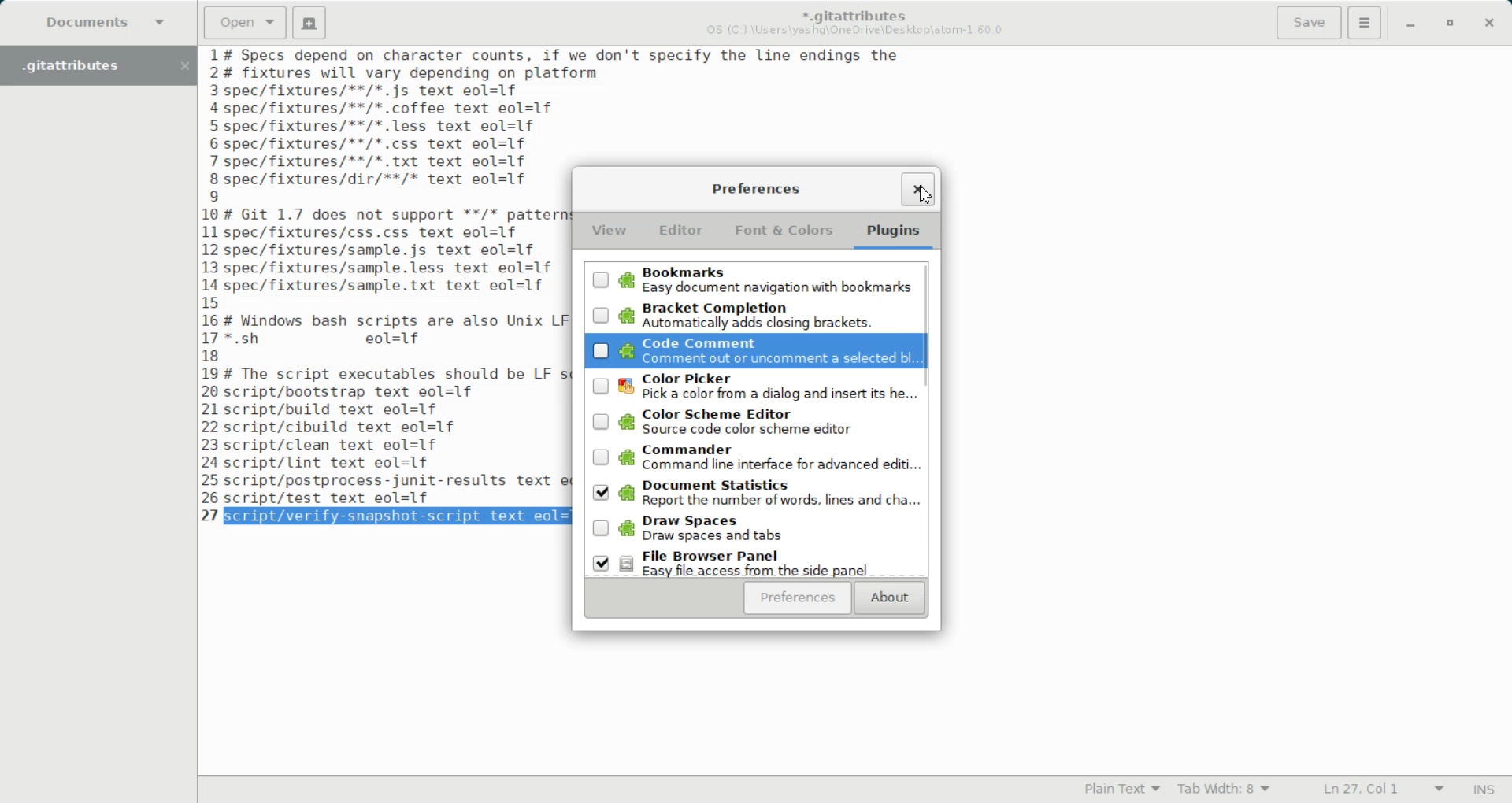 The height and width of the screenshot is (803, 1512). What do you see at coordinates (1451, 24) in the screenshot?
I see `Maximize` at bounding box center [1451, 24].